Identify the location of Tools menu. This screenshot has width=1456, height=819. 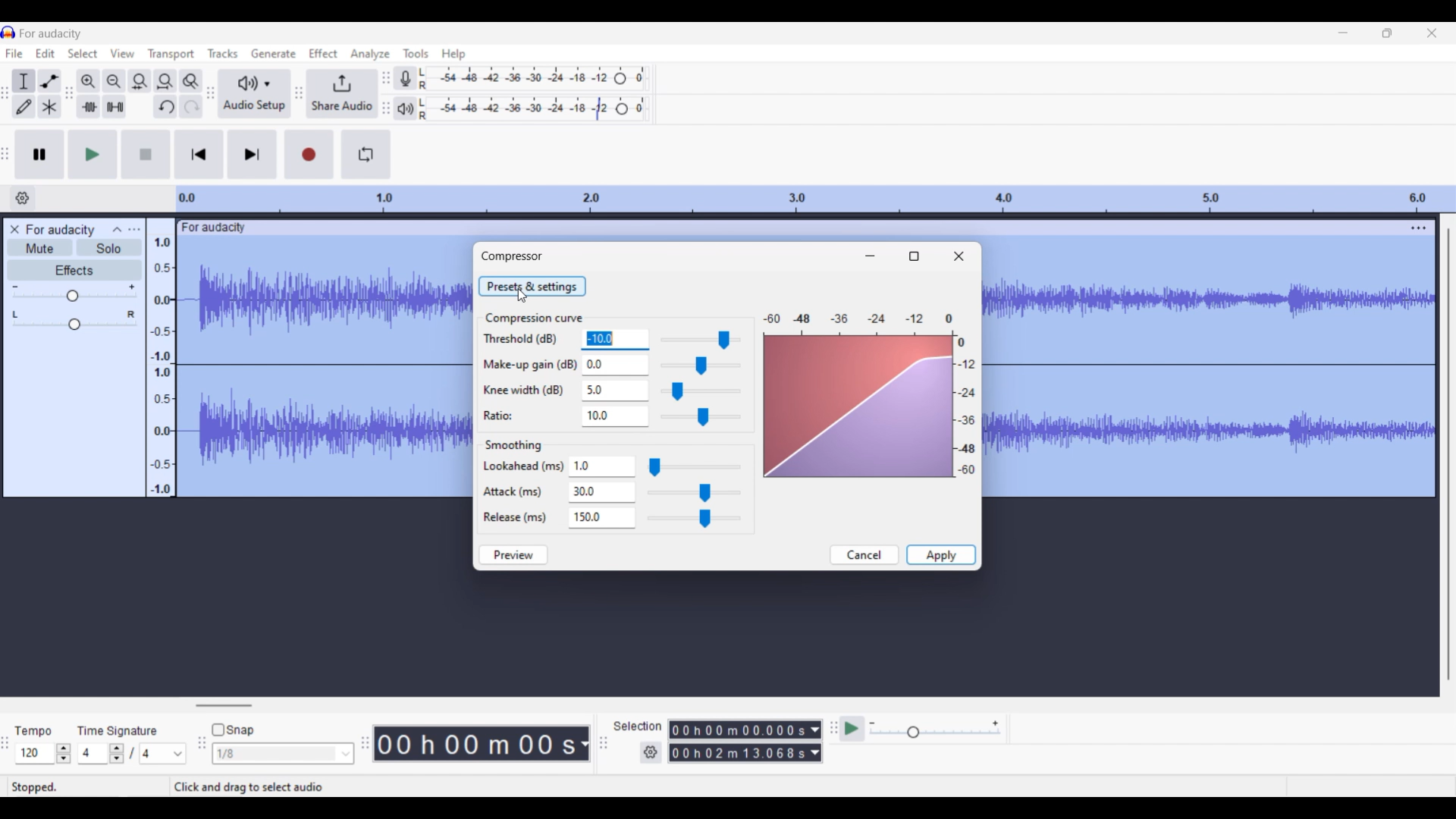
(416, 52).